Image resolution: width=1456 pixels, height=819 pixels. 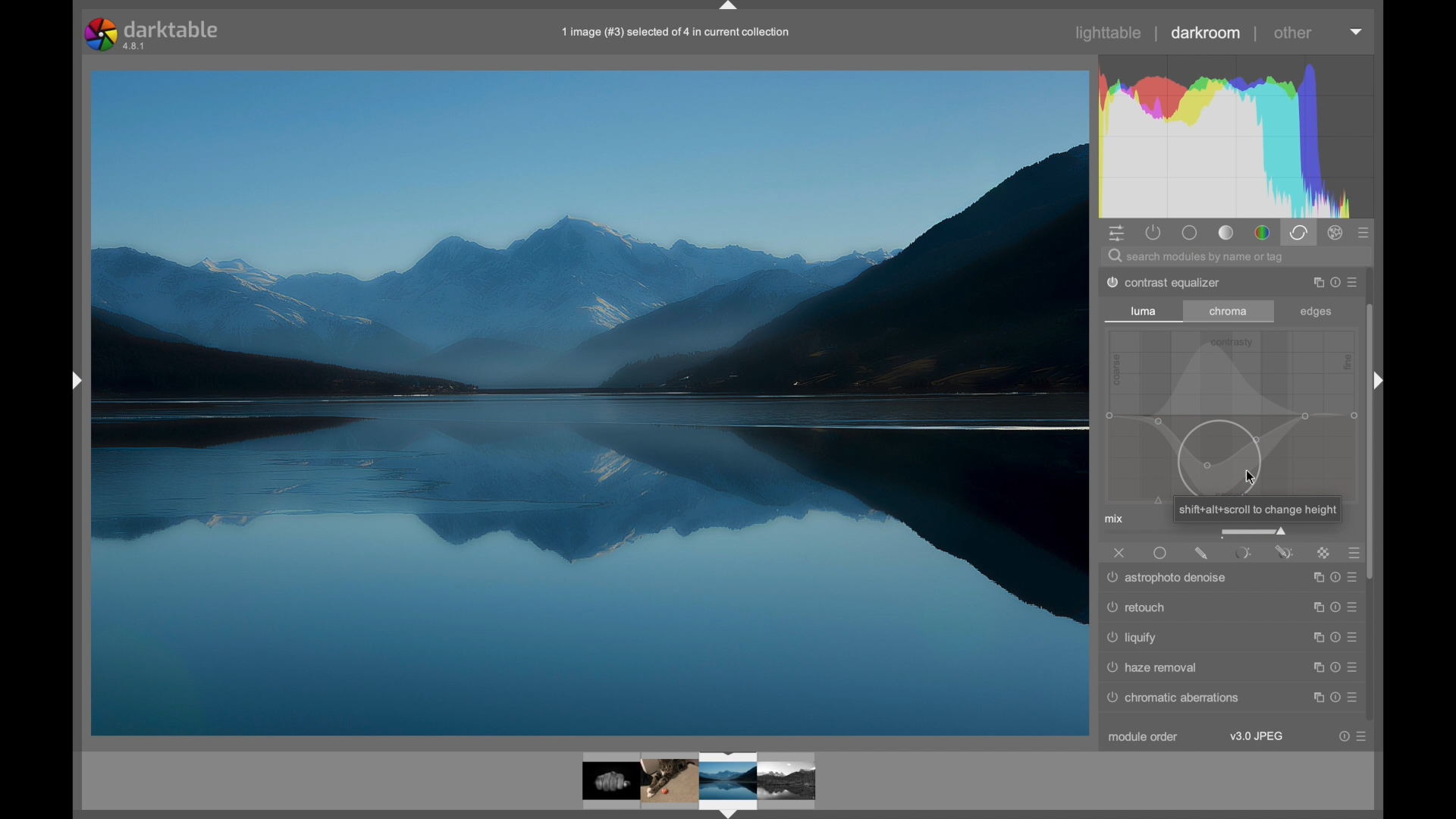 What do you see at coordinates (1336, 232) in the screenshot?
I see `effect` at bounding box center [1336, 232].